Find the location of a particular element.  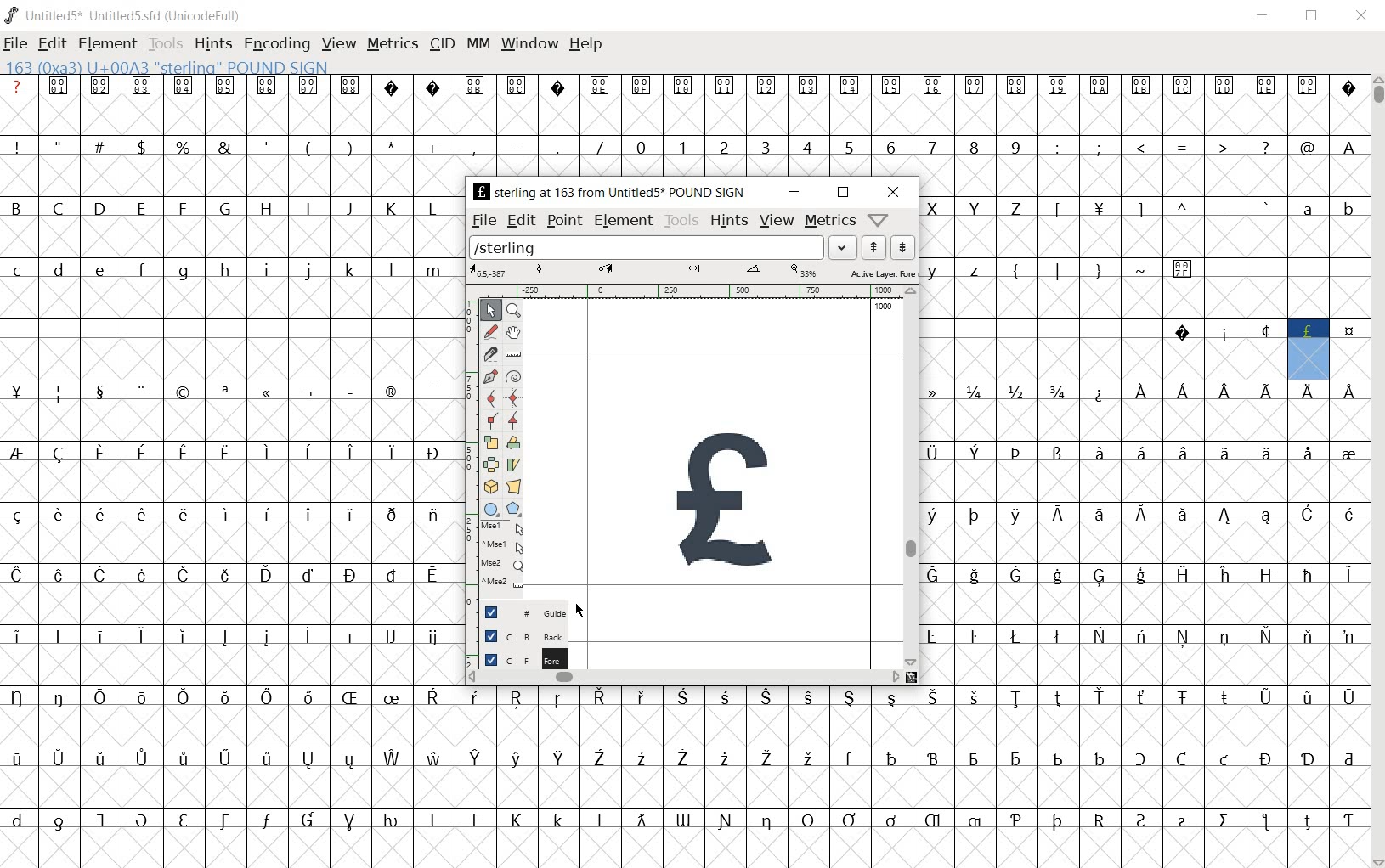

Symbol is located at coordinates (223, 637).